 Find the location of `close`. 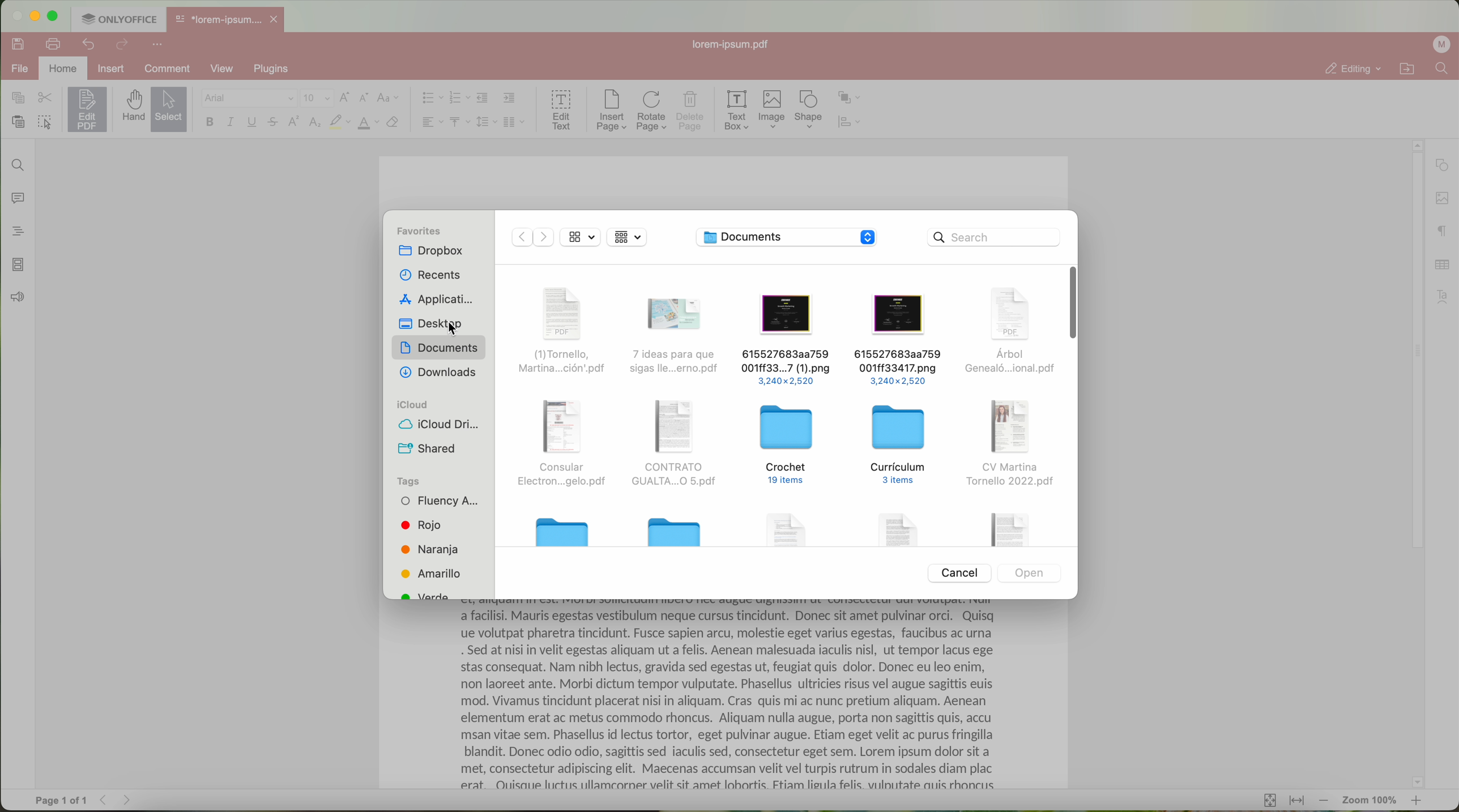

close is located at coordinates (276, 19).